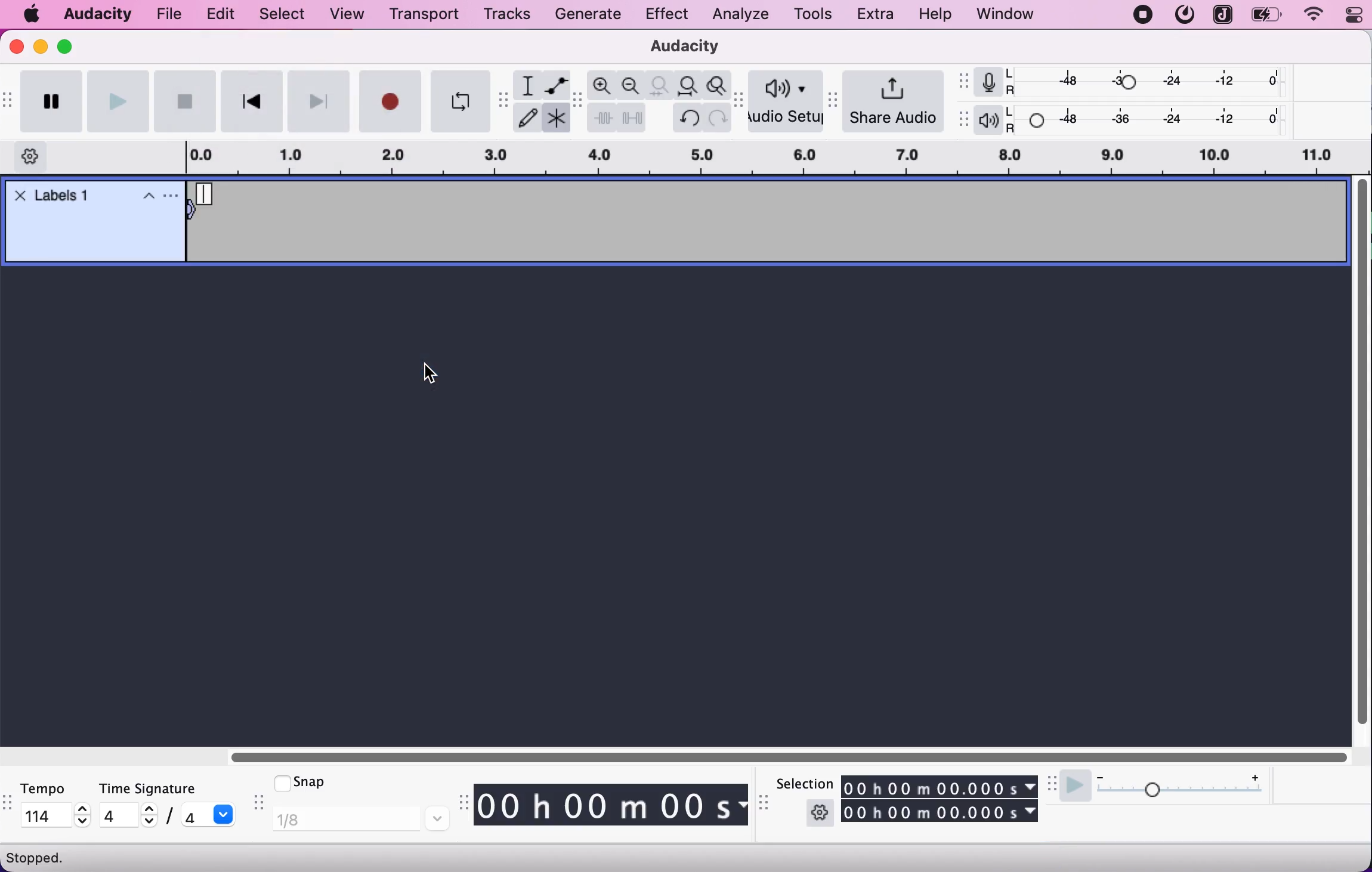  Describe the element at coordinates (17, 50) in the screenshot. I see `close` at that location.